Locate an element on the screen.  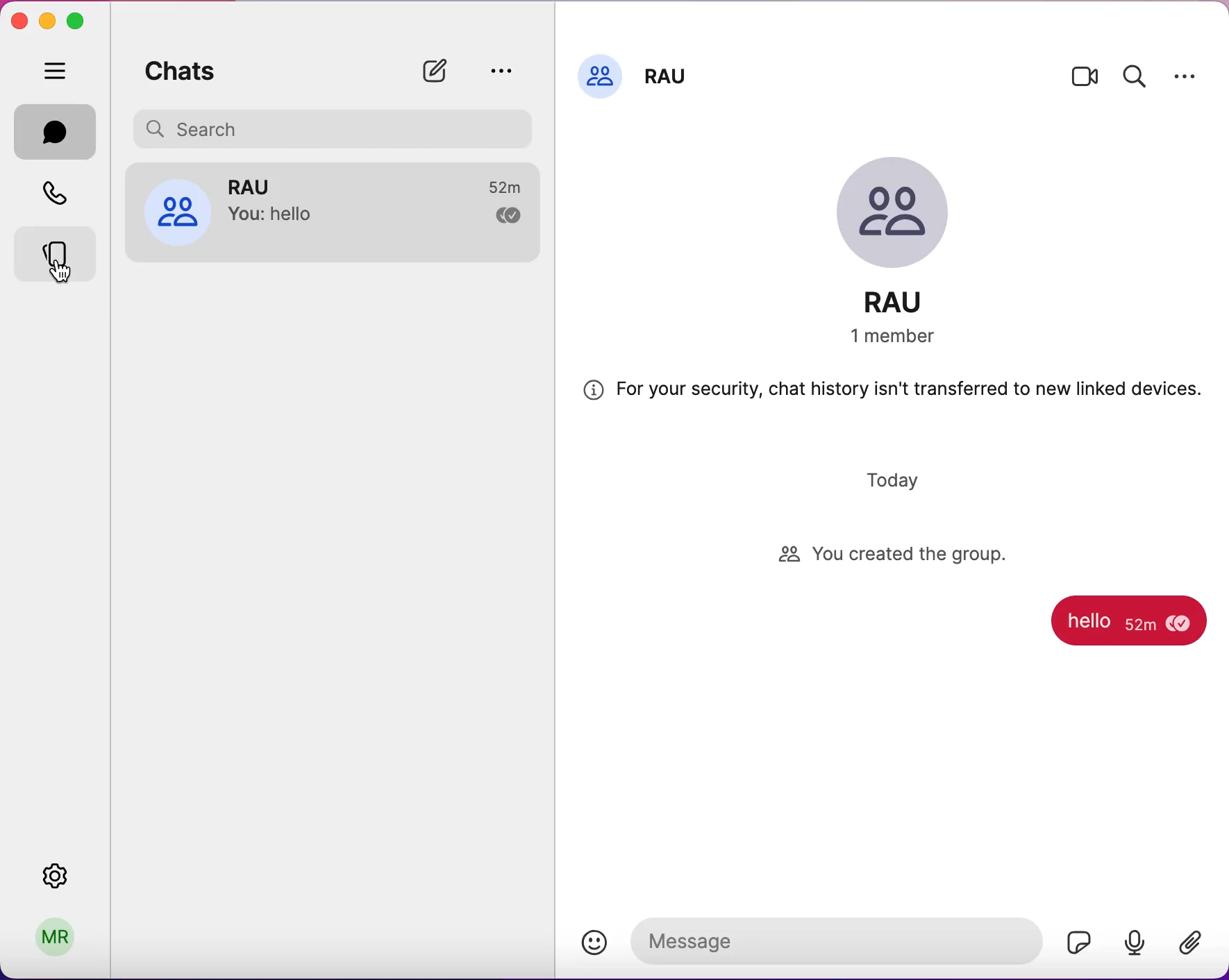
52m is located at coordinates (496, 184).